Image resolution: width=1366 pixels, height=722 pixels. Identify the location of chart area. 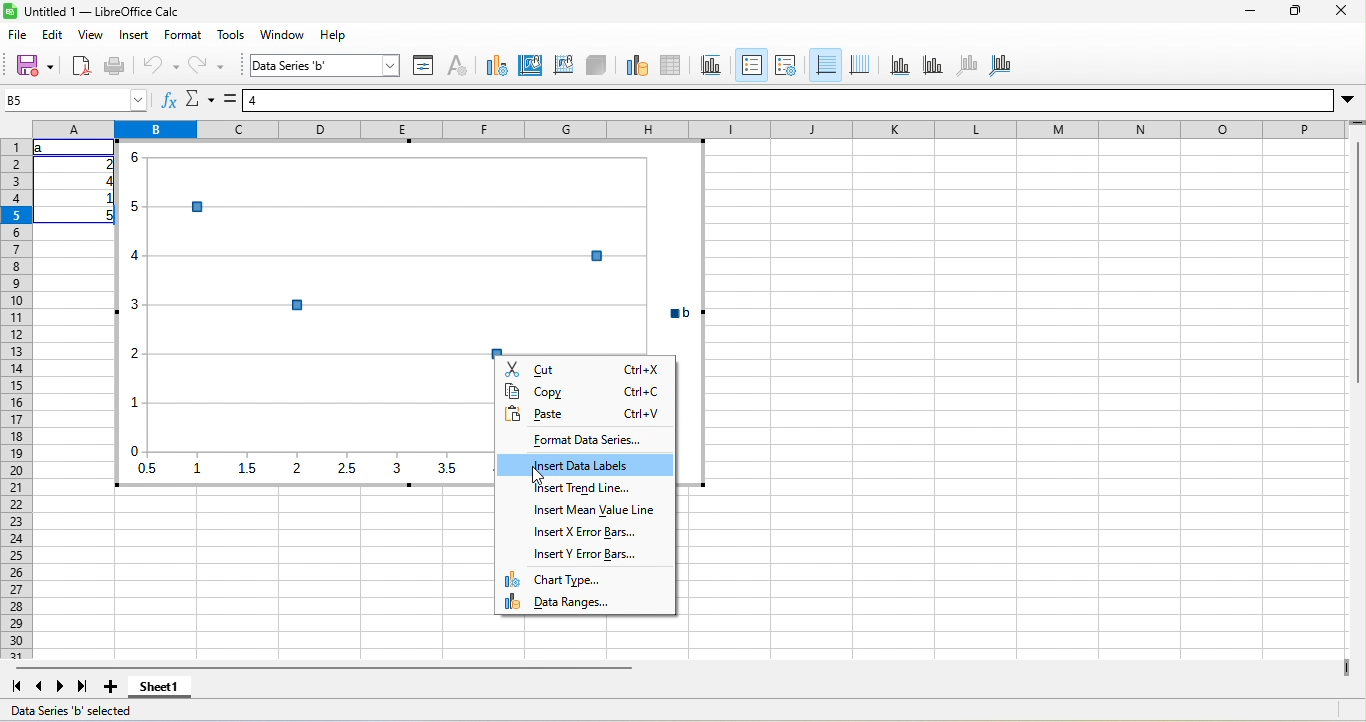
(530, 67).